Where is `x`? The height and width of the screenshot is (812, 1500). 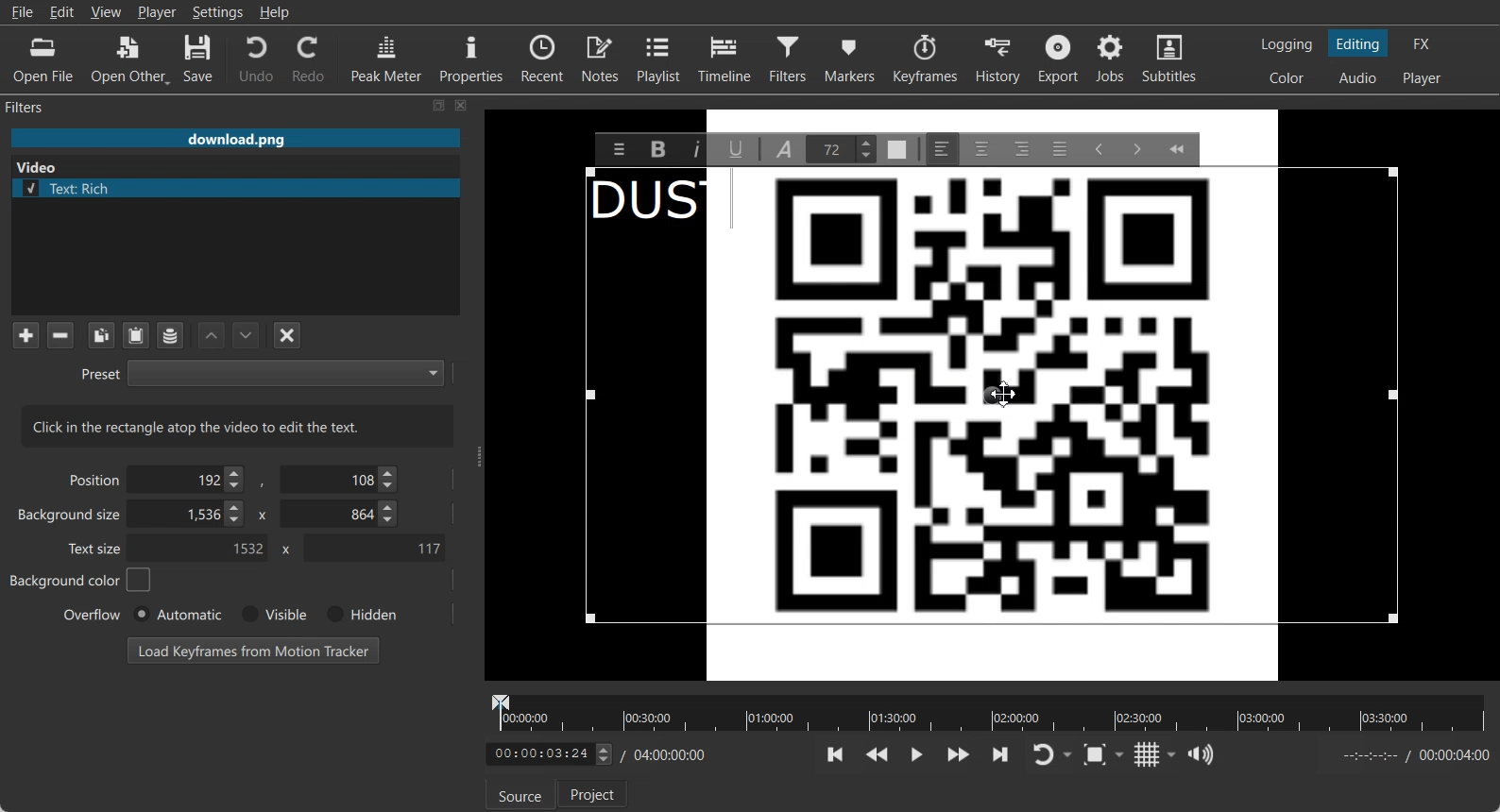 x is located at coordinates (282, 550).